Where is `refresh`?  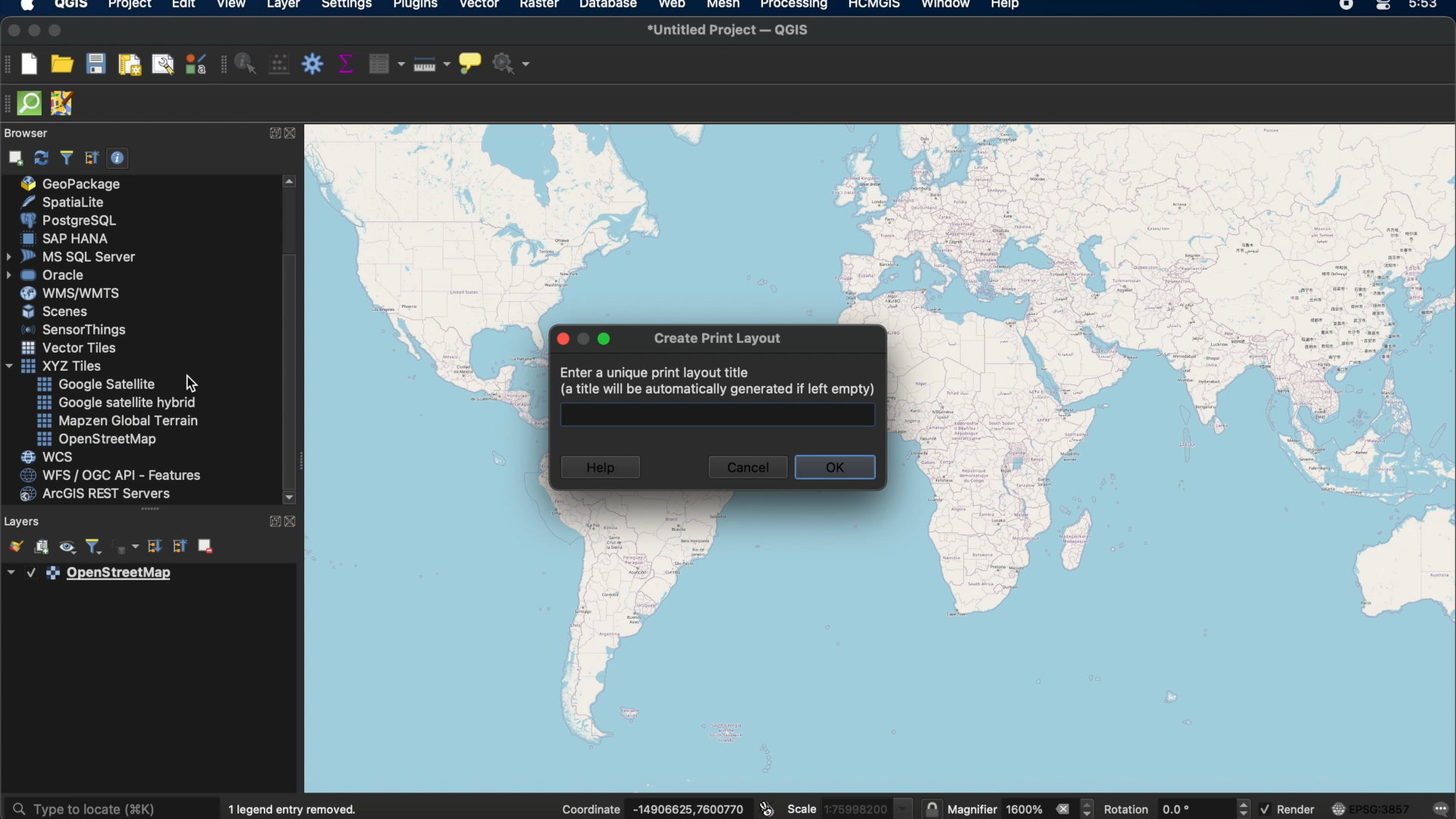
refresh is located at coordinates (40, 156).